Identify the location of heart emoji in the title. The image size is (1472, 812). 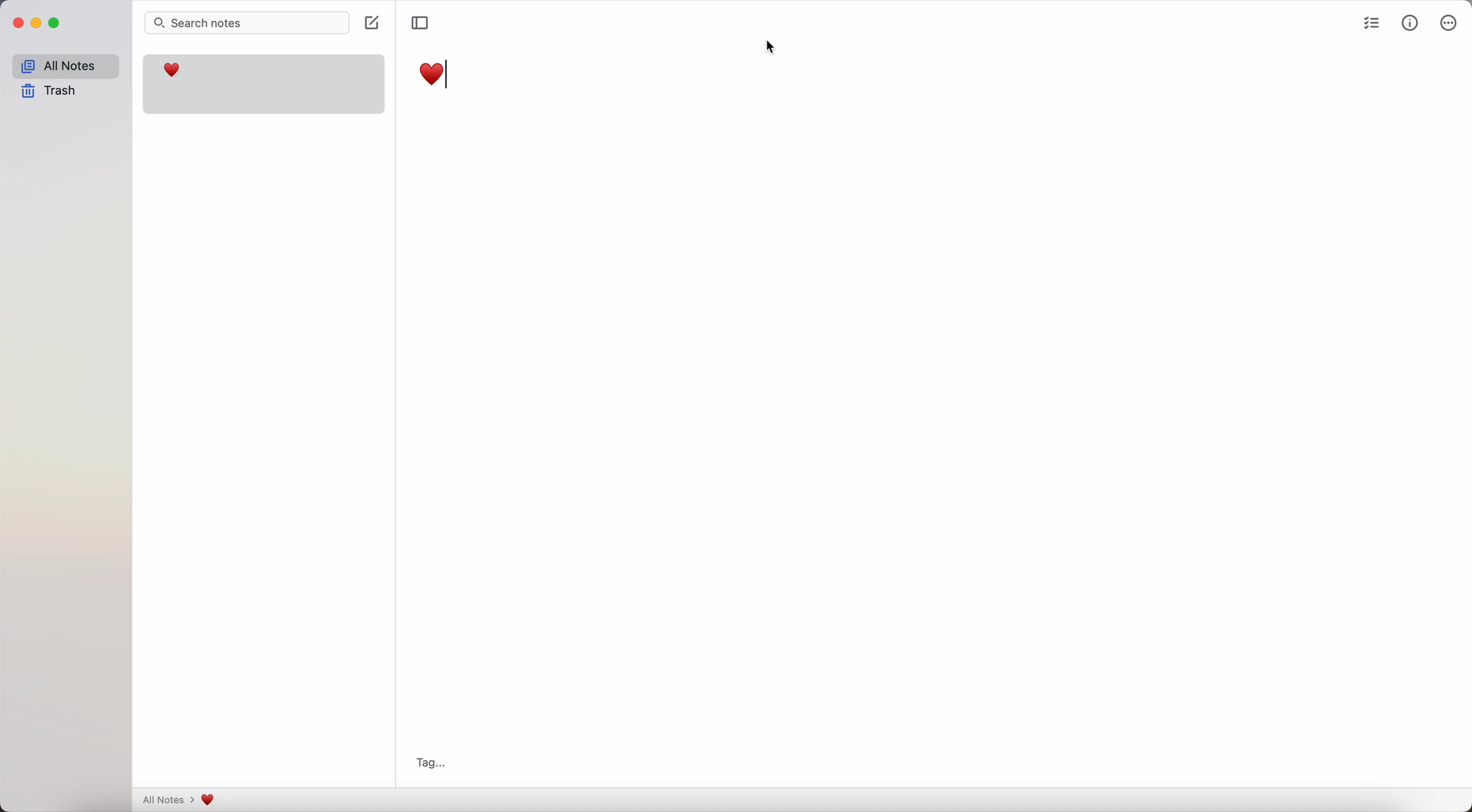
(434, 73).